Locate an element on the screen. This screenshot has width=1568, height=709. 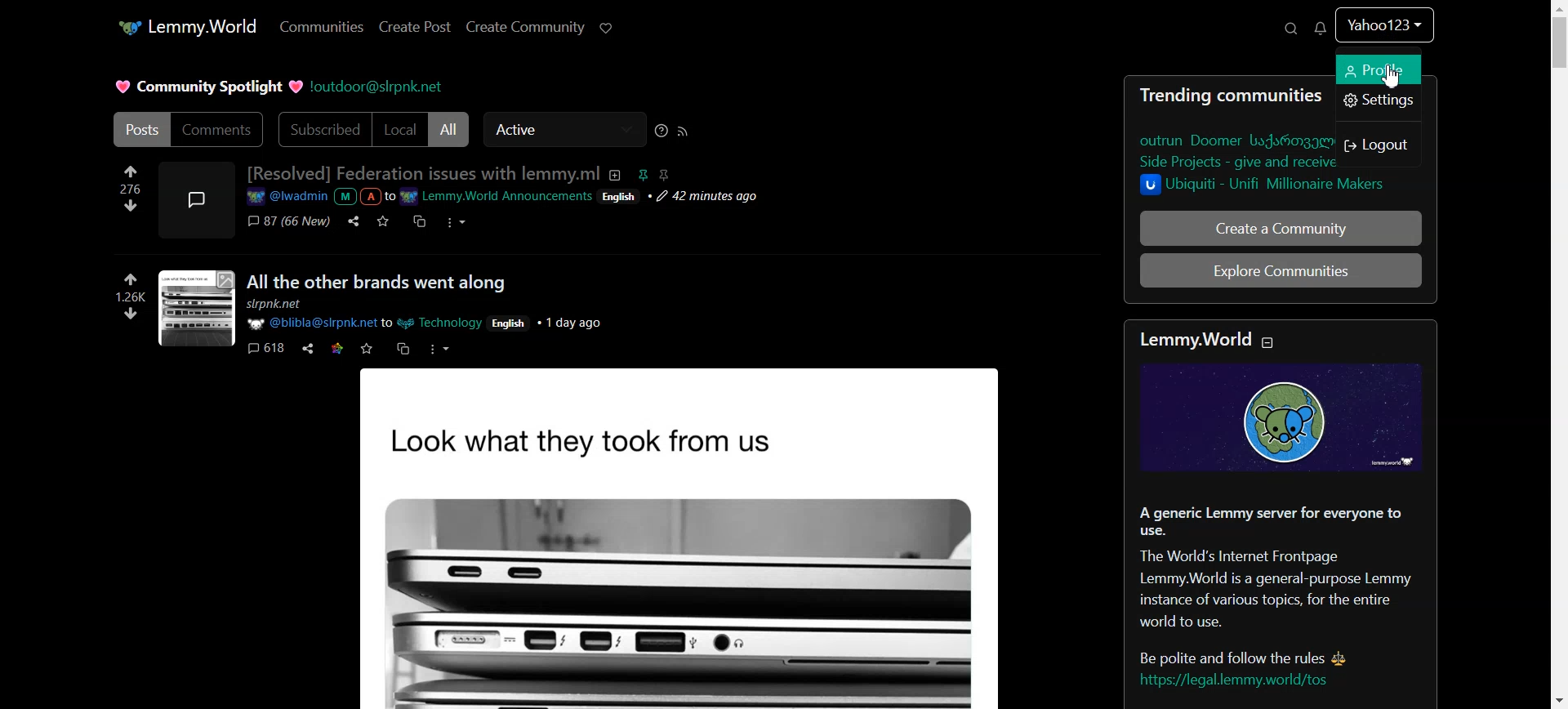
community spotlight is located at coordinates (207, 87).